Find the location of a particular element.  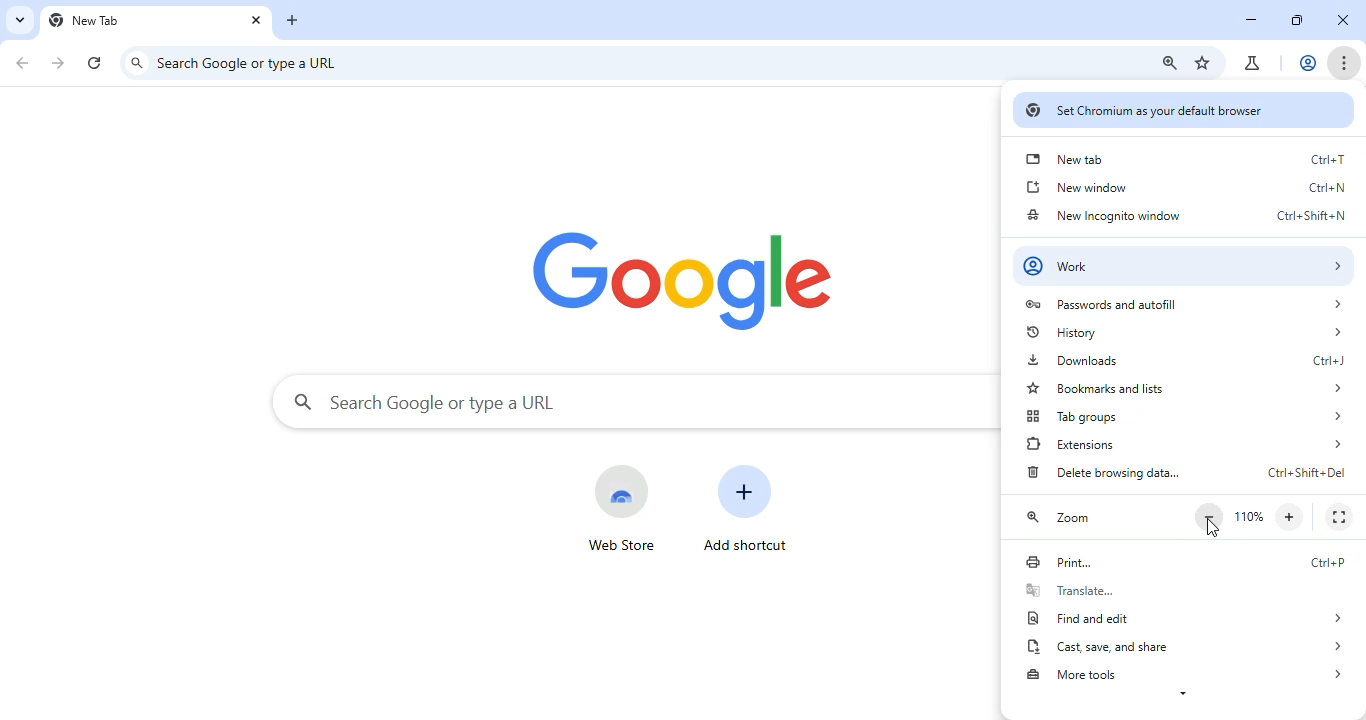

add new tab is located at coordinates (295, 20).